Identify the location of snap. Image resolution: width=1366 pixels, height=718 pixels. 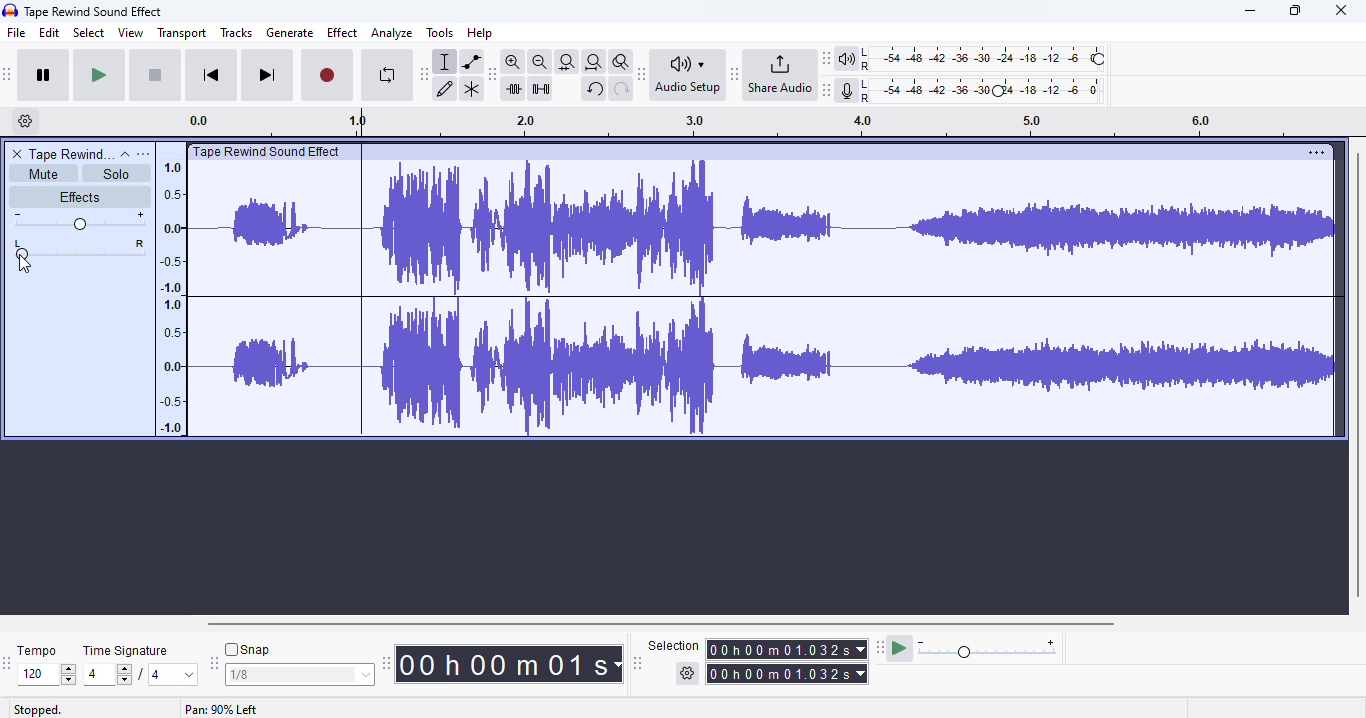
(247, 649).